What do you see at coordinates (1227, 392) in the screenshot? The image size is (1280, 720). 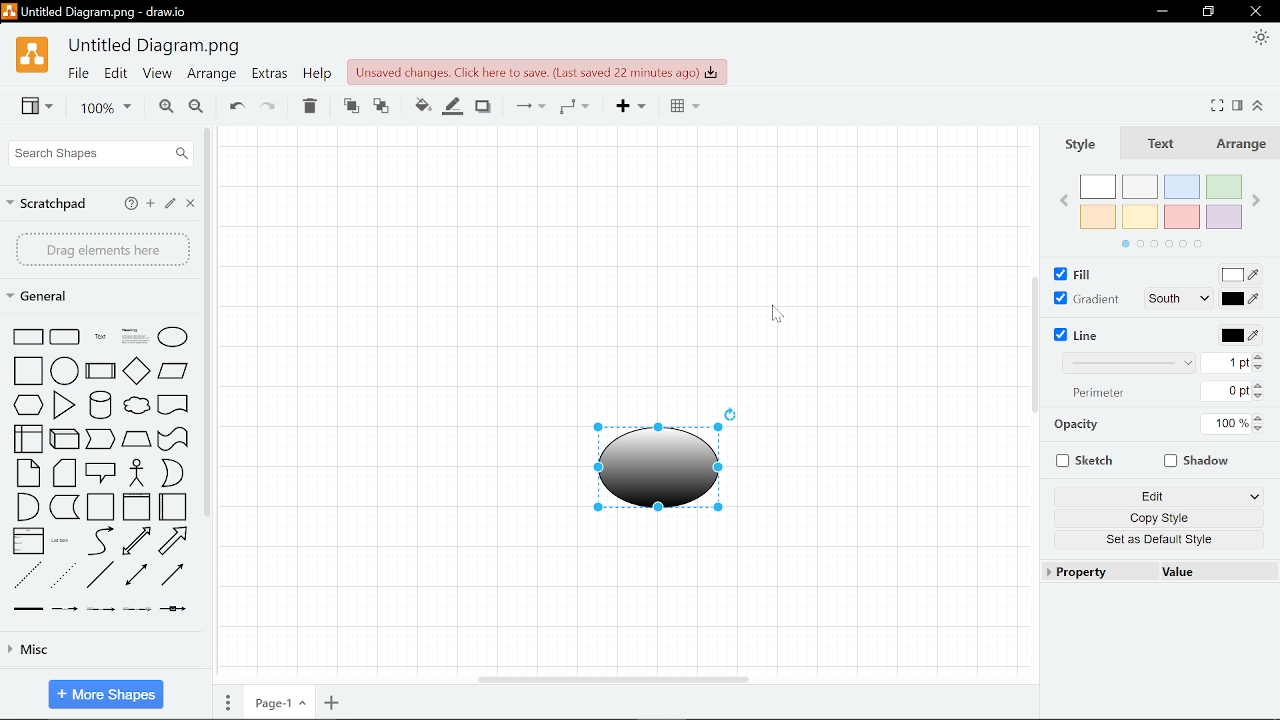 I see `` at bounding box center [1227, 392].